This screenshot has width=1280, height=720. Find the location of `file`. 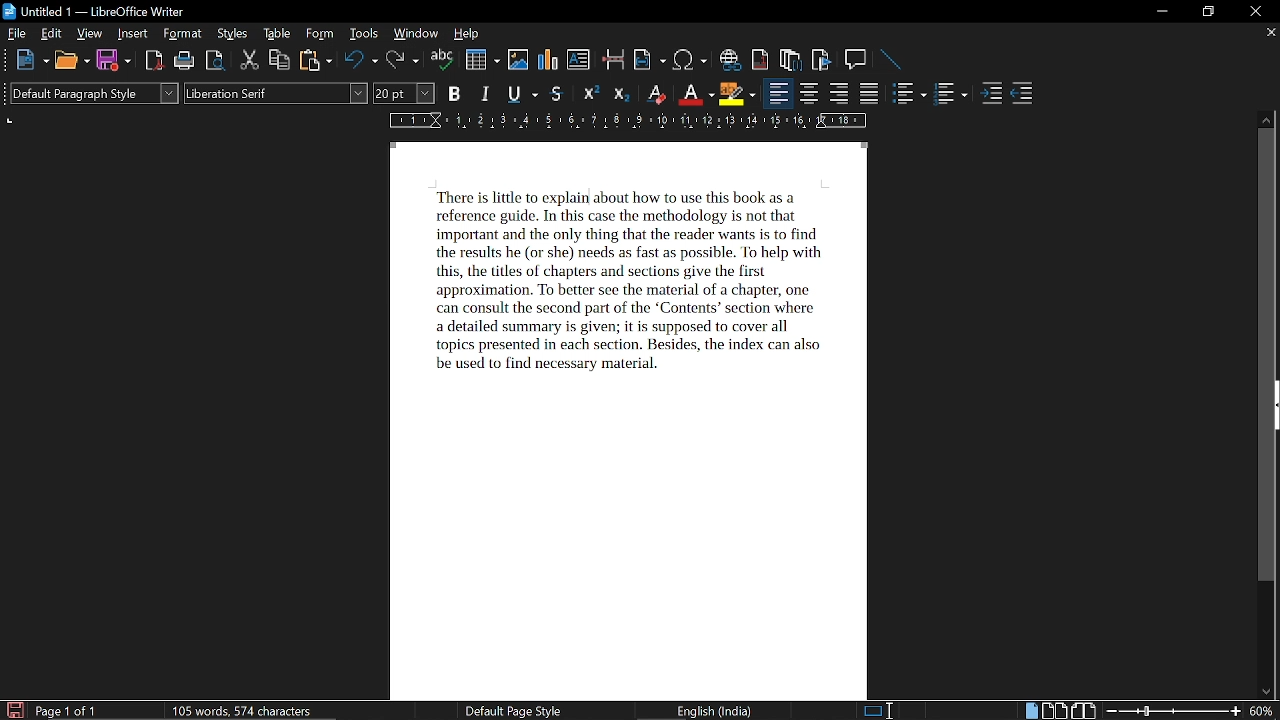

file is located at coordinates (18, 35).